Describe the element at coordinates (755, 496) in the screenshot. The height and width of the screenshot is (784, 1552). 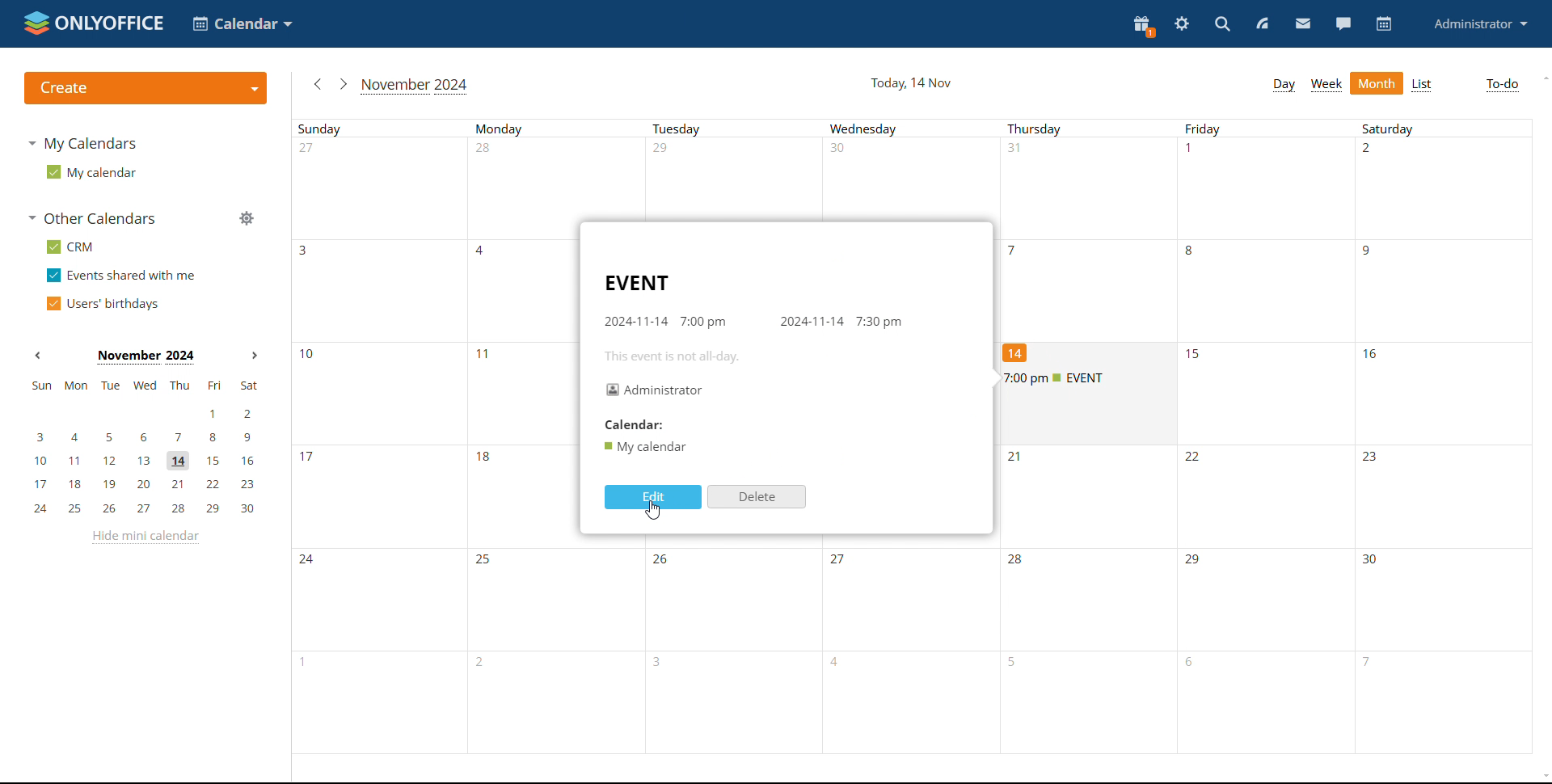
I see `delete` at that location.